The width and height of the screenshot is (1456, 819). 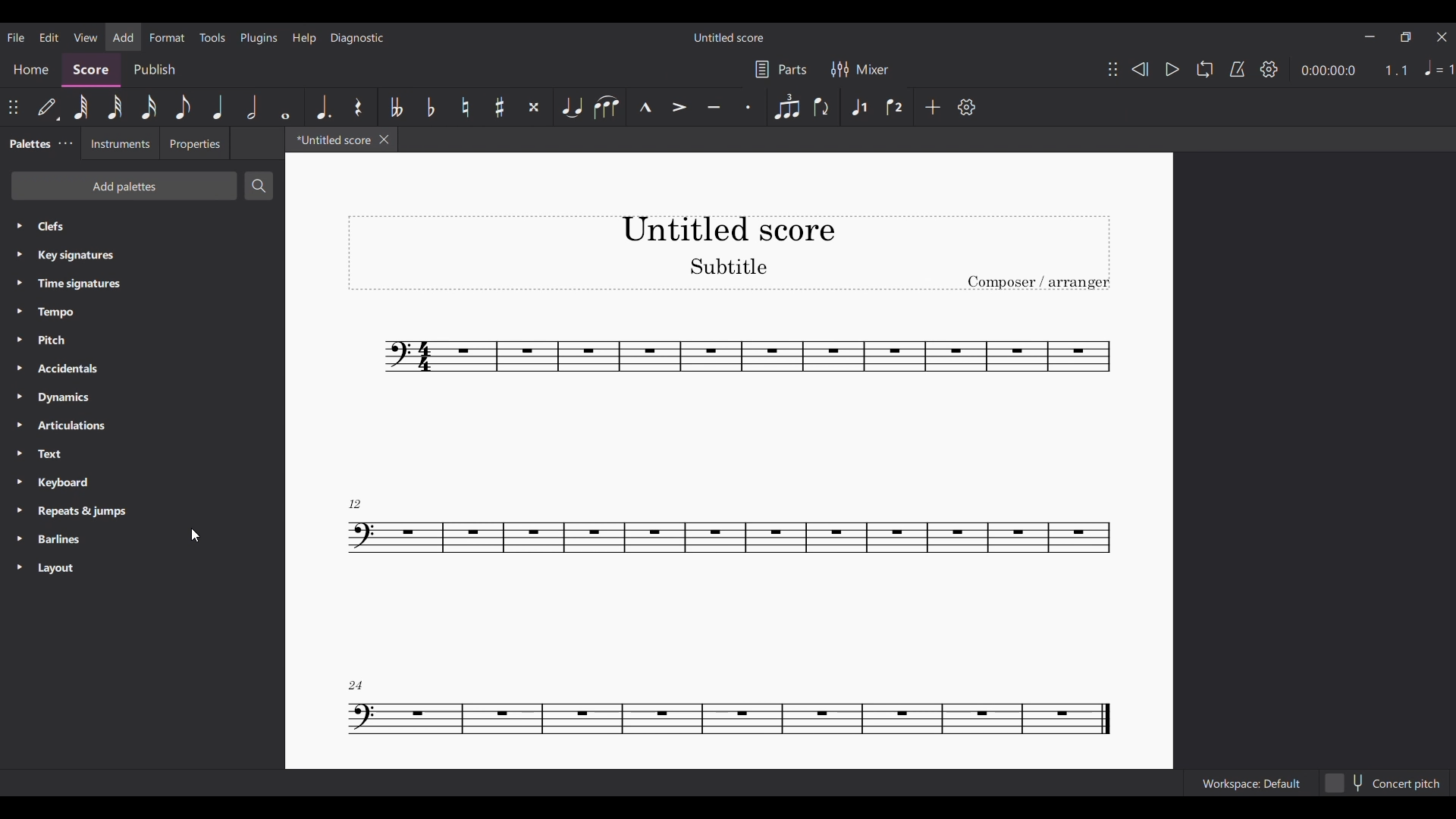 I want to click on Untitled score, so click(x=727, y=229).